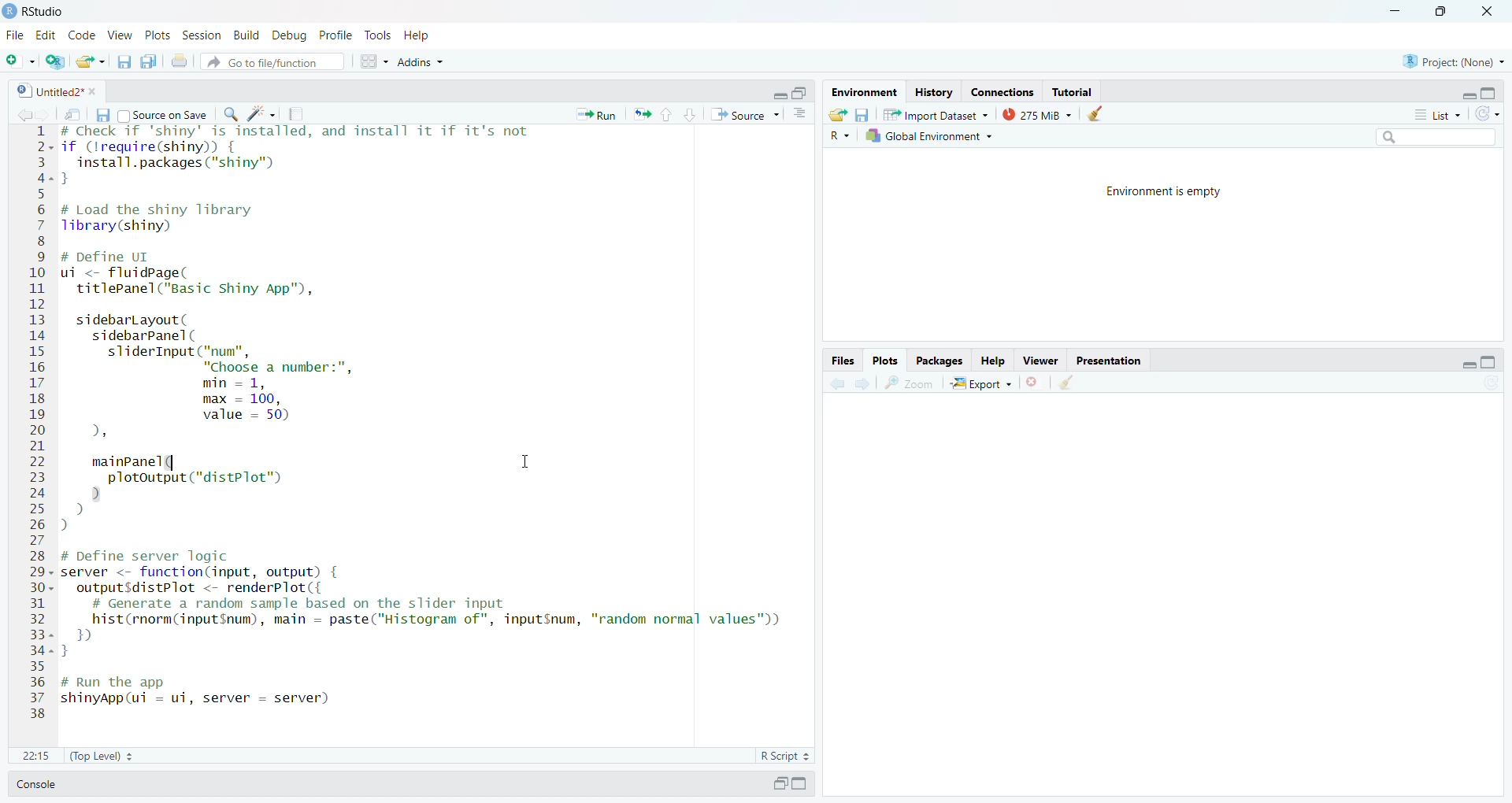 This screenshot has height=803, width=1512. I want to click on # Define server logicserver <- function(input, output) {outputSdistPlot <- renderPlot({# Generate a random sample based on the slider inputhist(rnorm(input$num), main = paste("Histogram of", inputSnum, "random normal values"))}, so click(422, 603).